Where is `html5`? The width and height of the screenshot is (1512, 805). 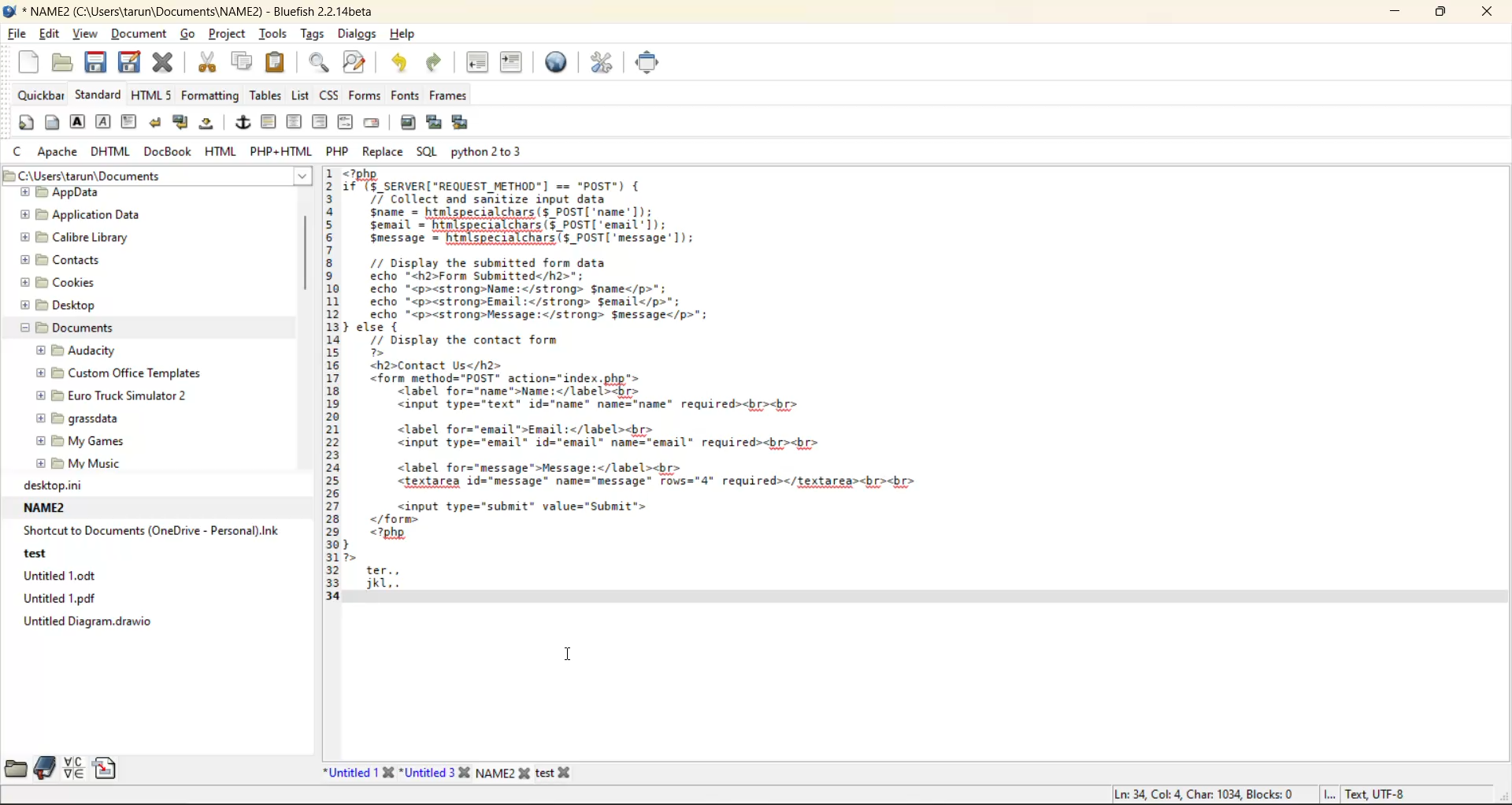 html5 is located at coordinates (151, 95).